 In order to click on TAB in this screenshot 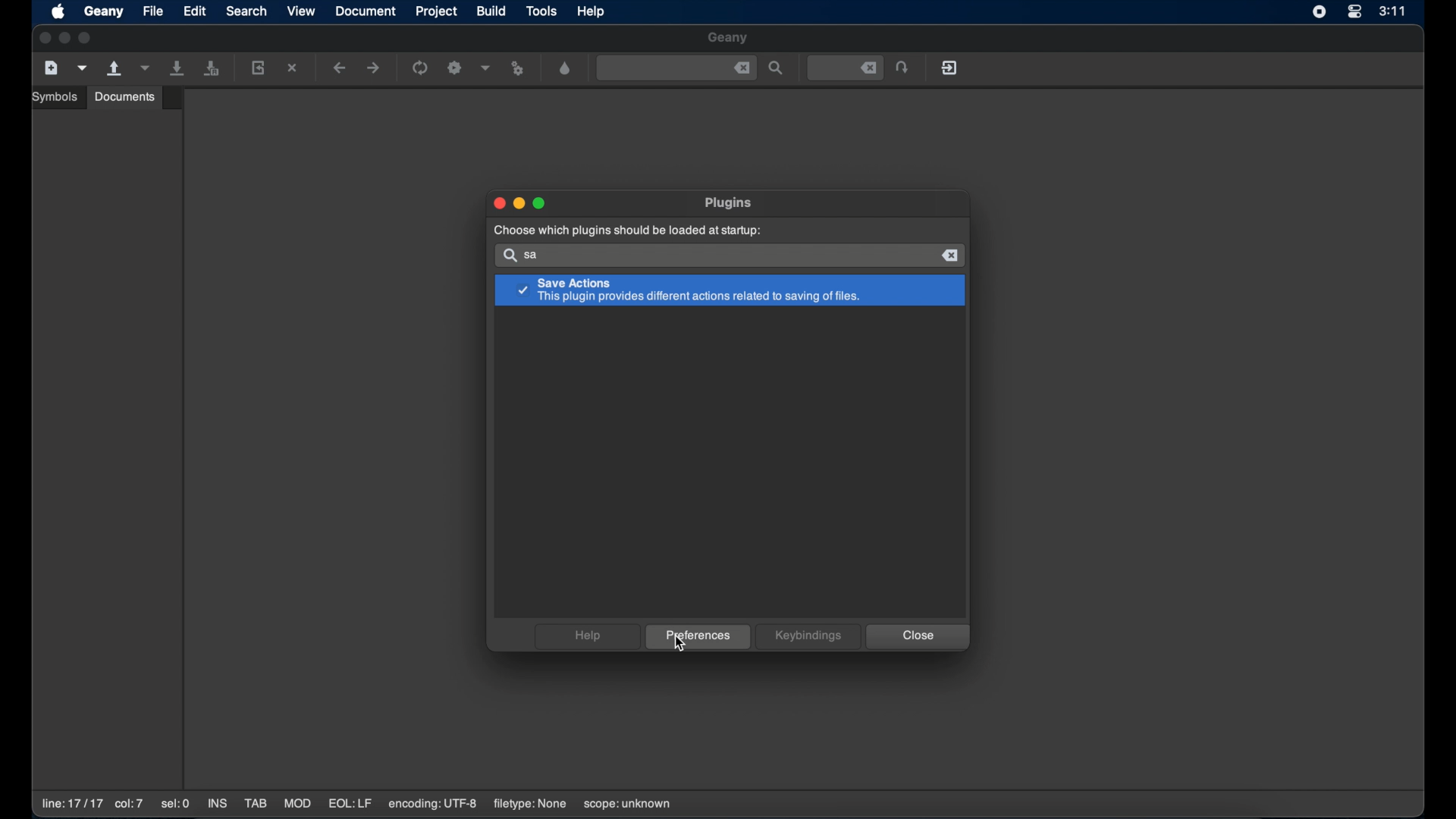, I will do `click(256, 804)`.